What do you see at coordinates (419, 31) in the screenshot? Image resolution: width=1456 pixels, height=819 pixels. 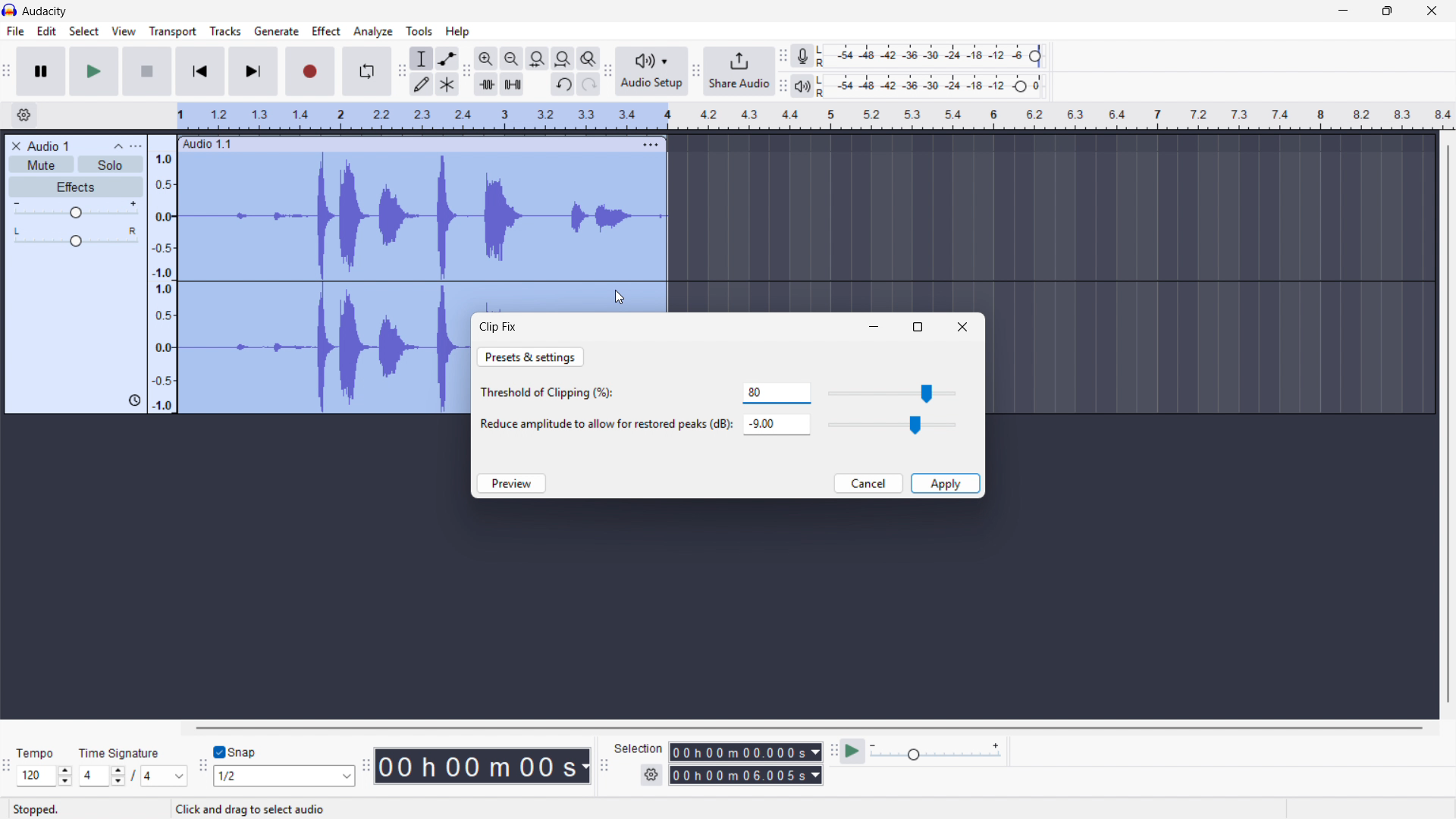 I see `Tools` at bounding box center [419, 31].